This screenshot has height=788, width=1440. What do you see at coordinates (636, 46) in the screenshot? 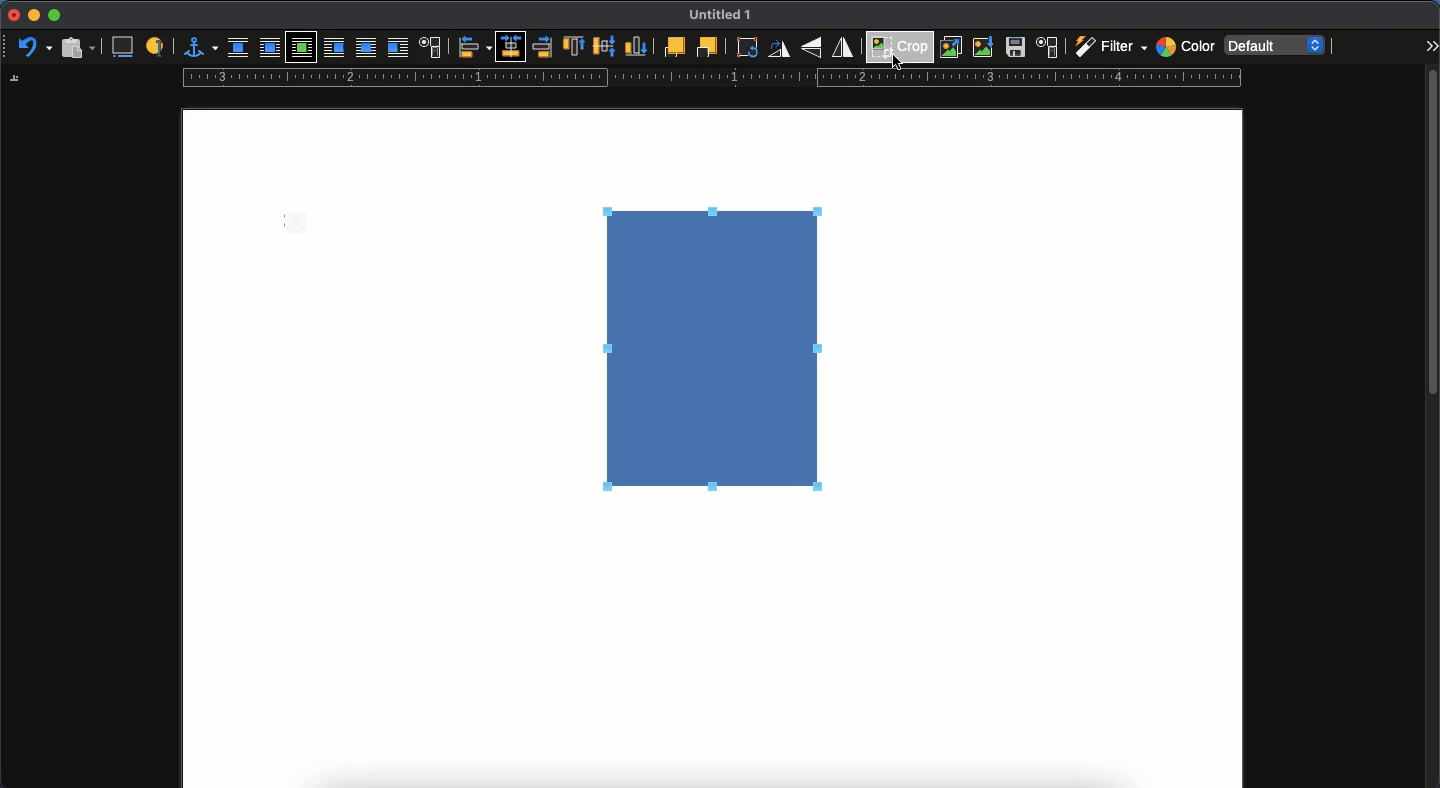
I see `bottom to anchor` at bounding box center [636, 46].